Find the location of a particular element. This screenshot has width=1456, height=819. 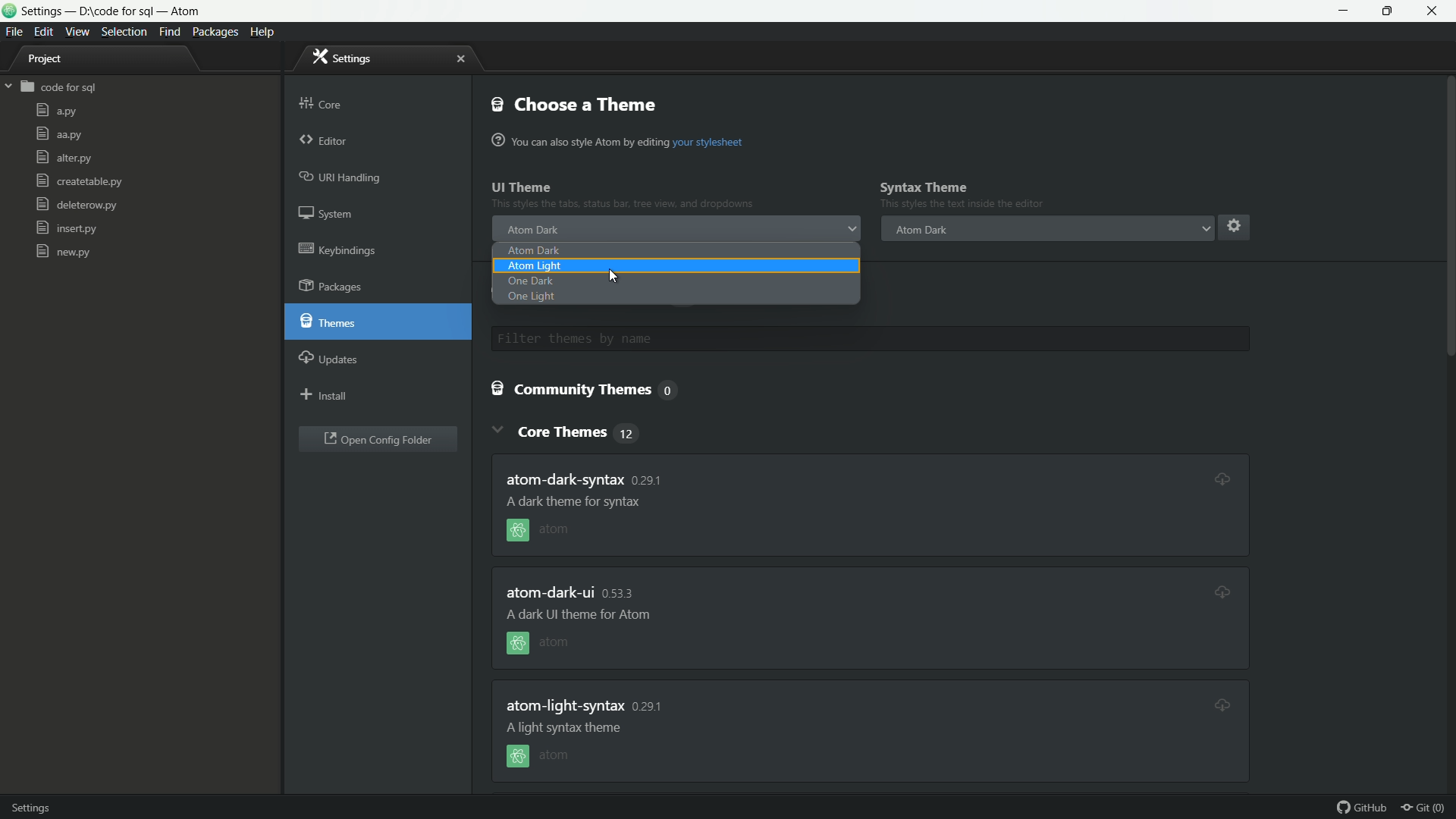

system is located at coordinates (329, 216).